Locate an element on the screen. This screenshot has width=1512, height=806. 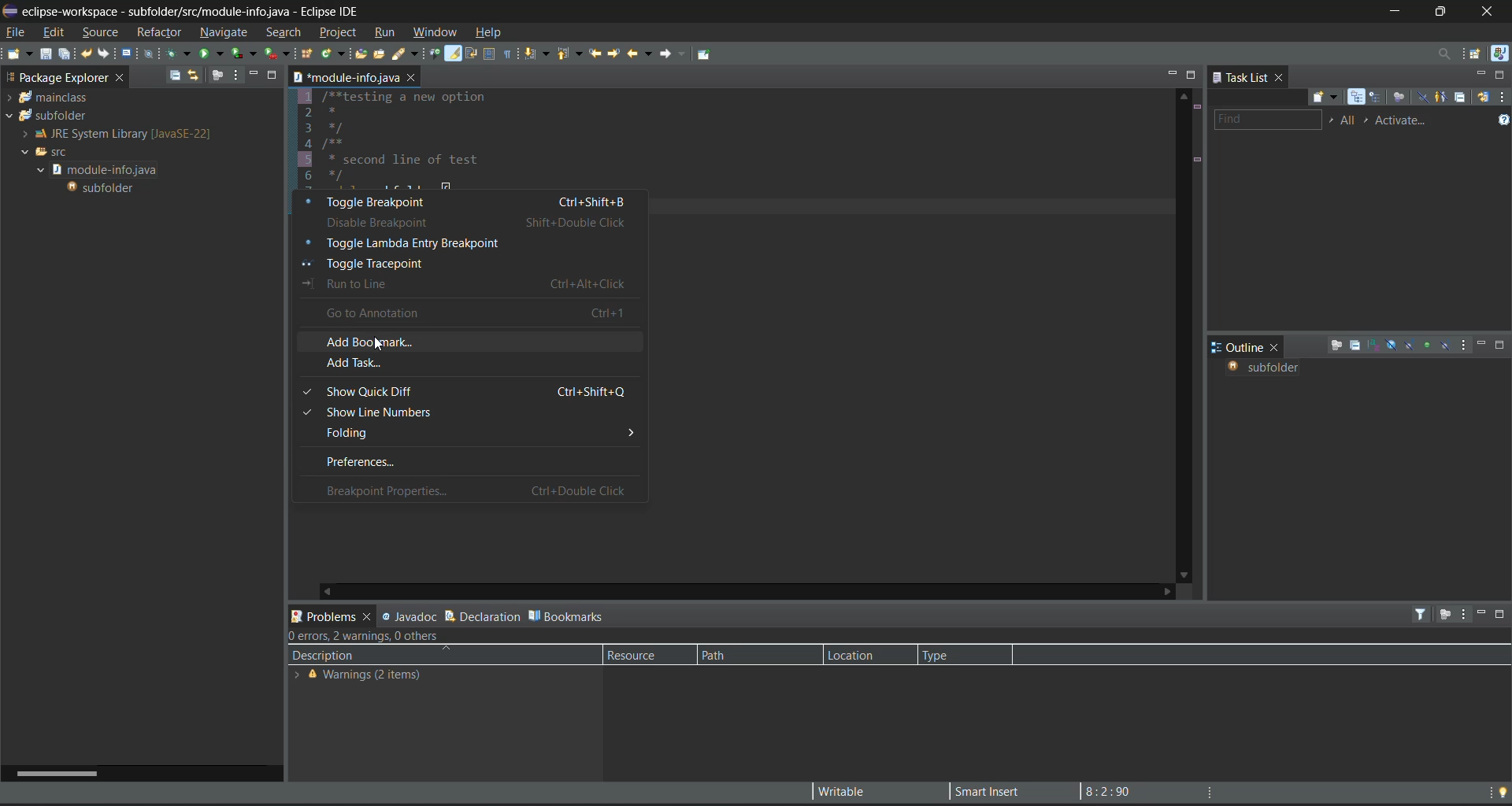
eclipse-workspace - subfolder/src/module-info.java - Eclipse IDE is located at coordinates (194, 12).